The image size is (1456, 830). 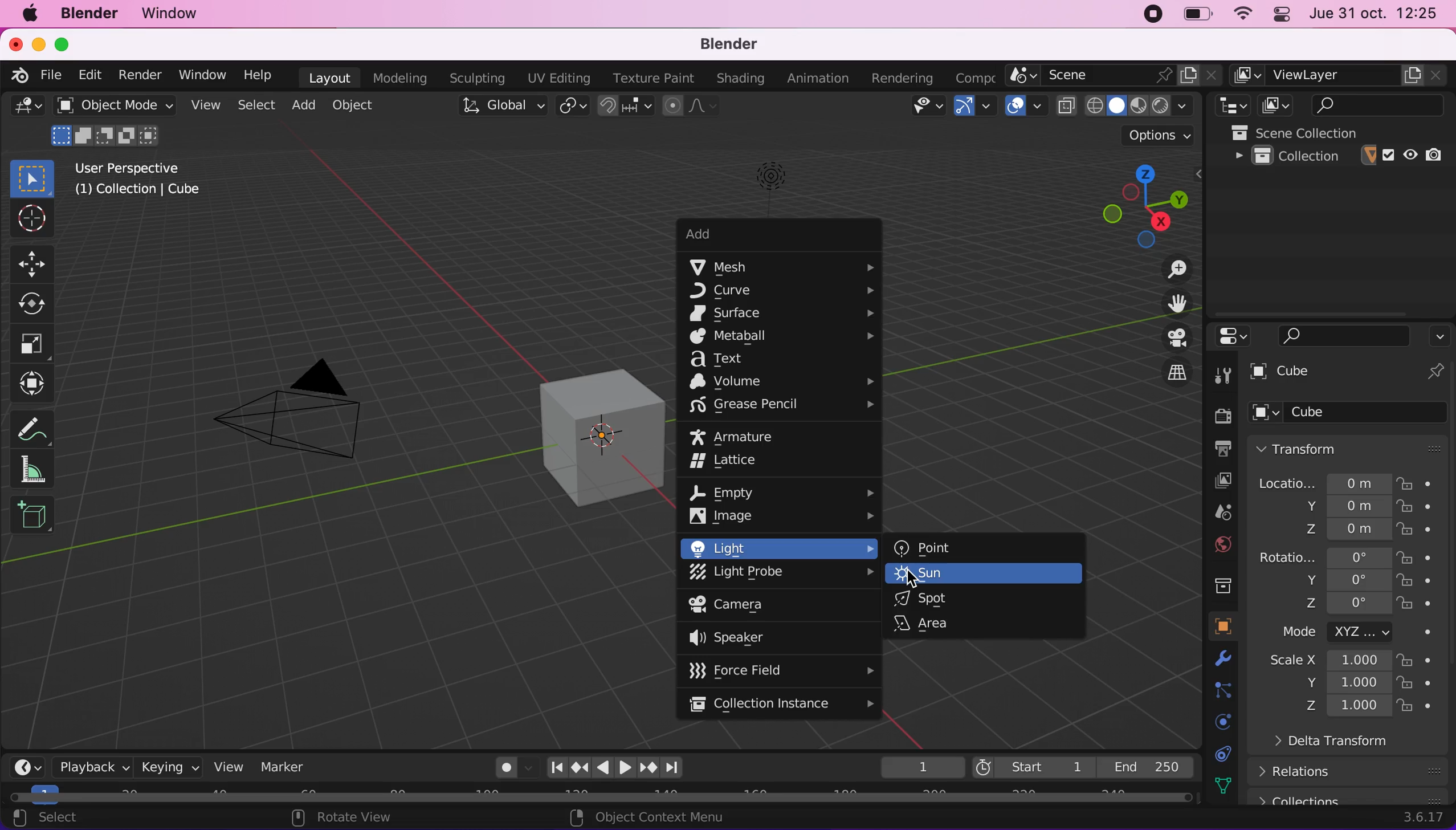 I want to click on user perspective (1) collection | cube, so click(x=143, y=180).